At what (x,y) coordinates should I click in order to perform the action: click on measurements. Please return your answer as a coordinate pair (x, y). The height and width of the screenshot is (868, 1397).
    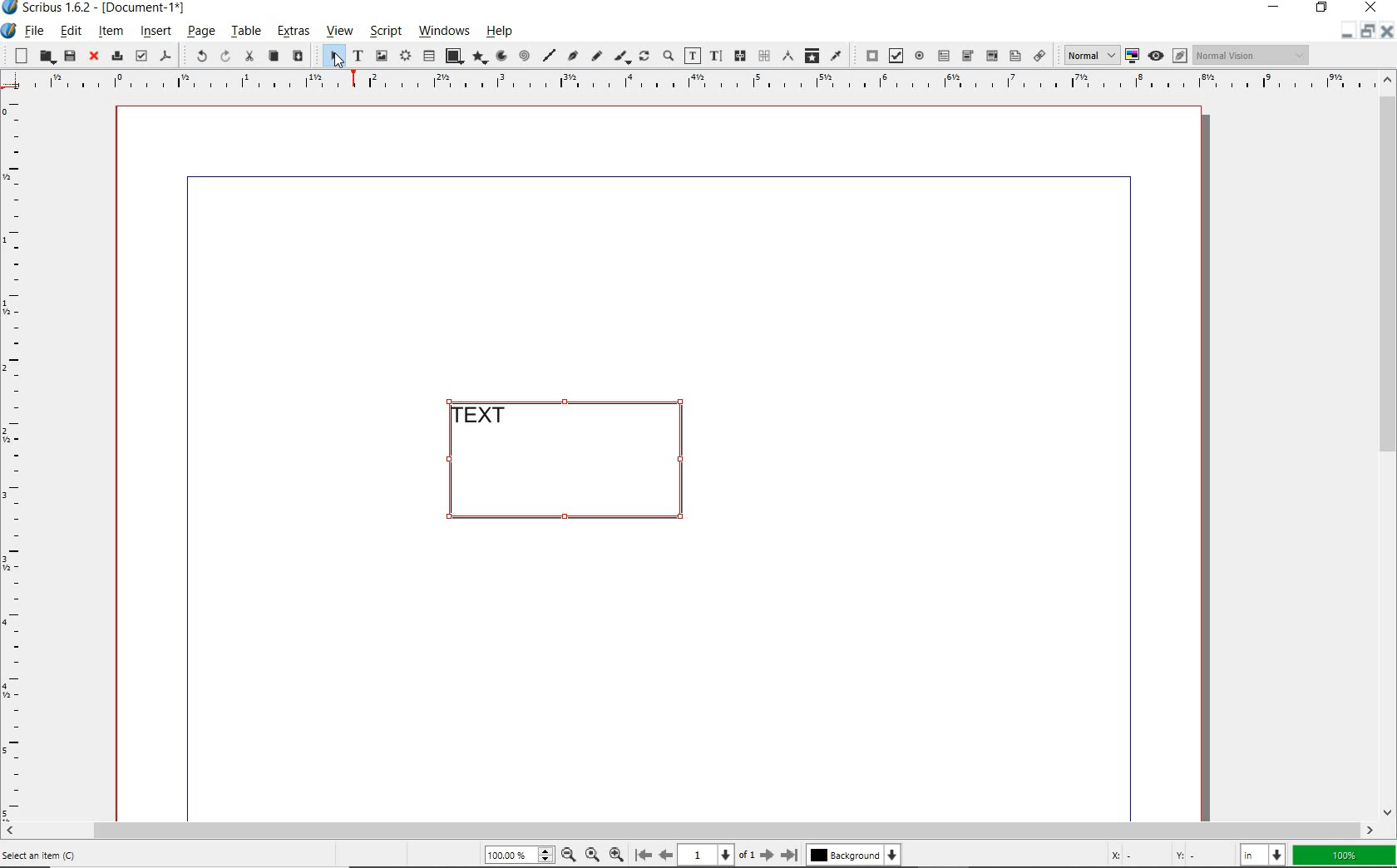
    Looking at the image, I should click on (786, 55).